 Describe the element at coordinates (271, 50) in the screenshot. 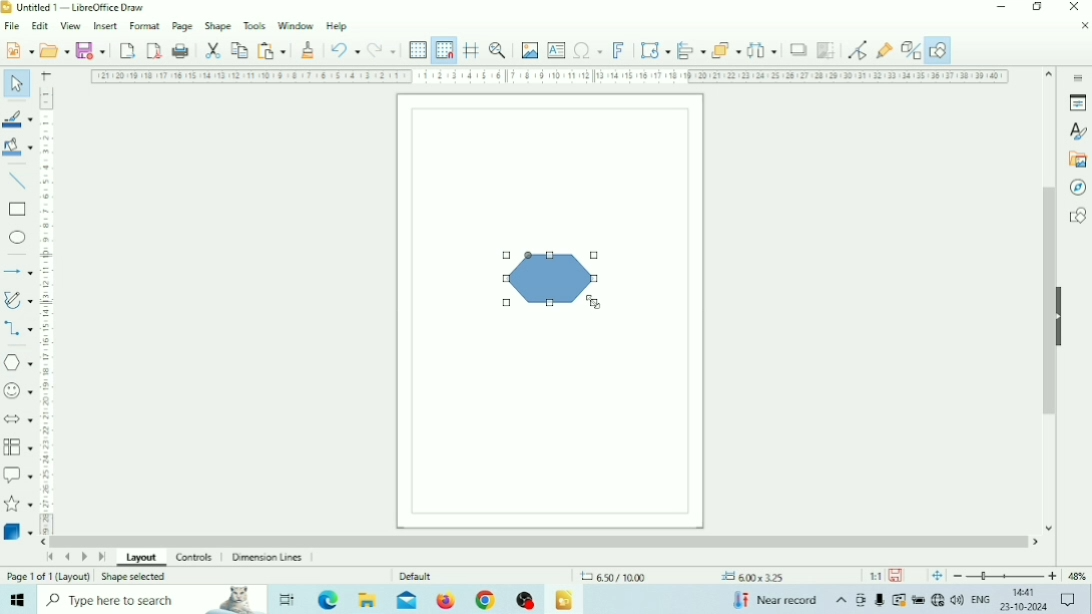

I see `Paste` at that location.